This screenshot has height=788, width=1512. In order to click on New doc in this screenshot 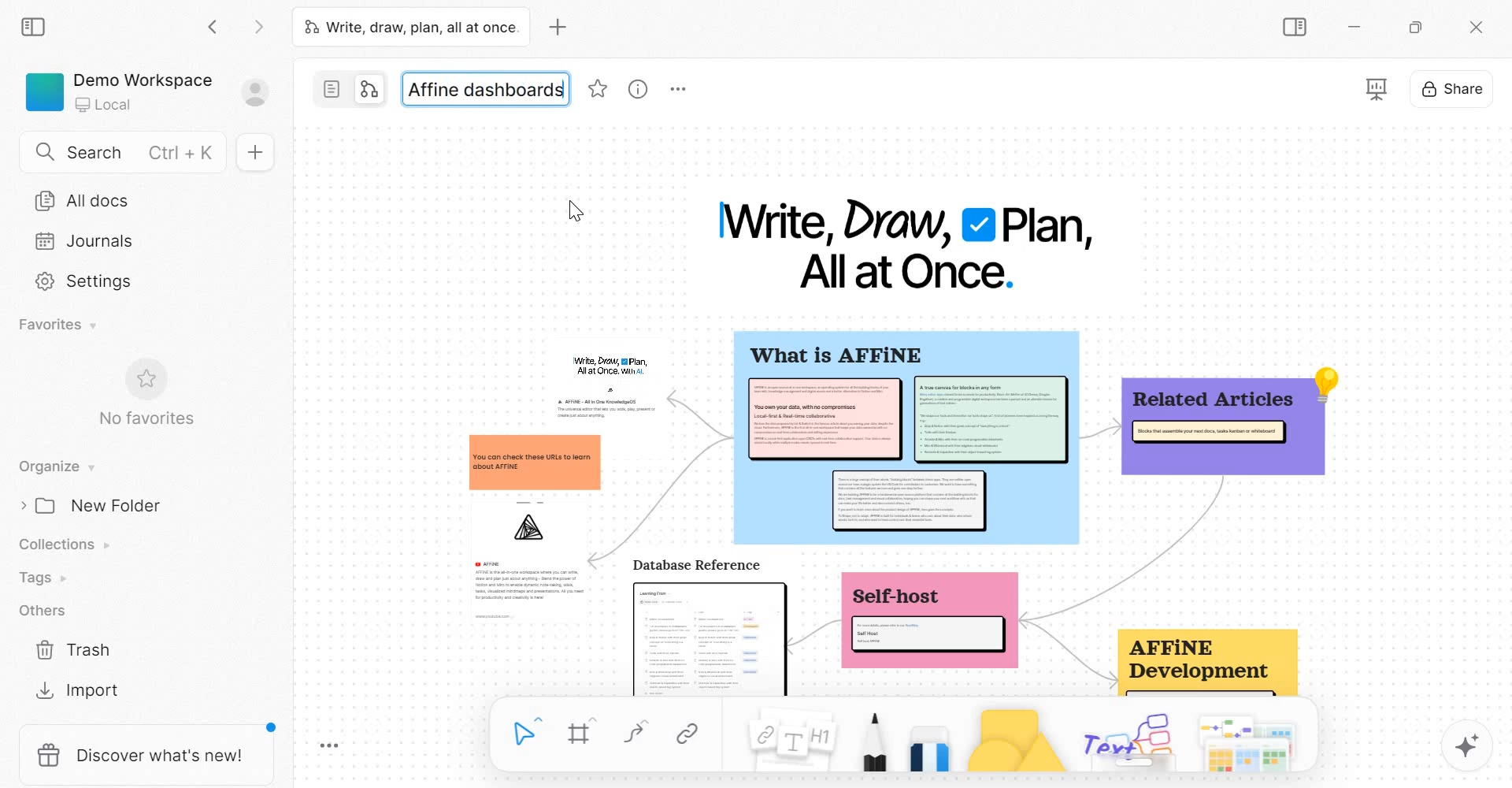, I will do `click(254, 154)`.